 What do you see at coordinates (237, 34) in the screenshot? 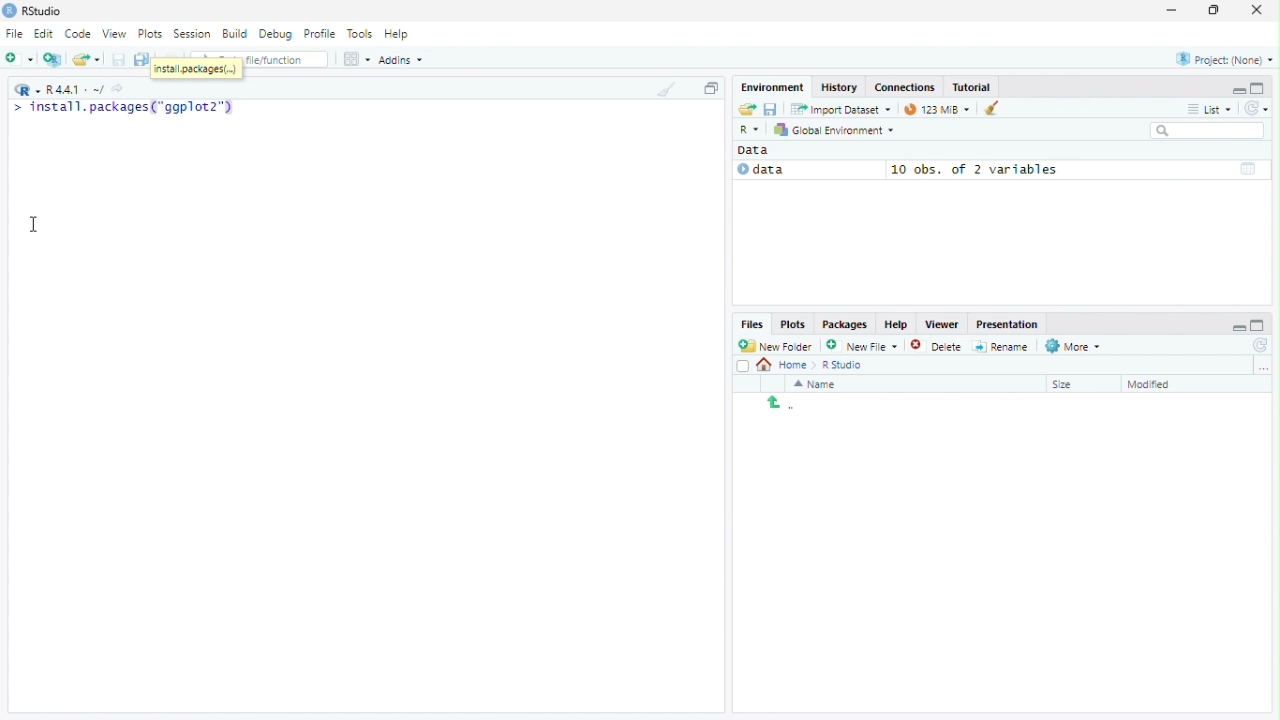
I see `Build` at bounding box center [237, 34].